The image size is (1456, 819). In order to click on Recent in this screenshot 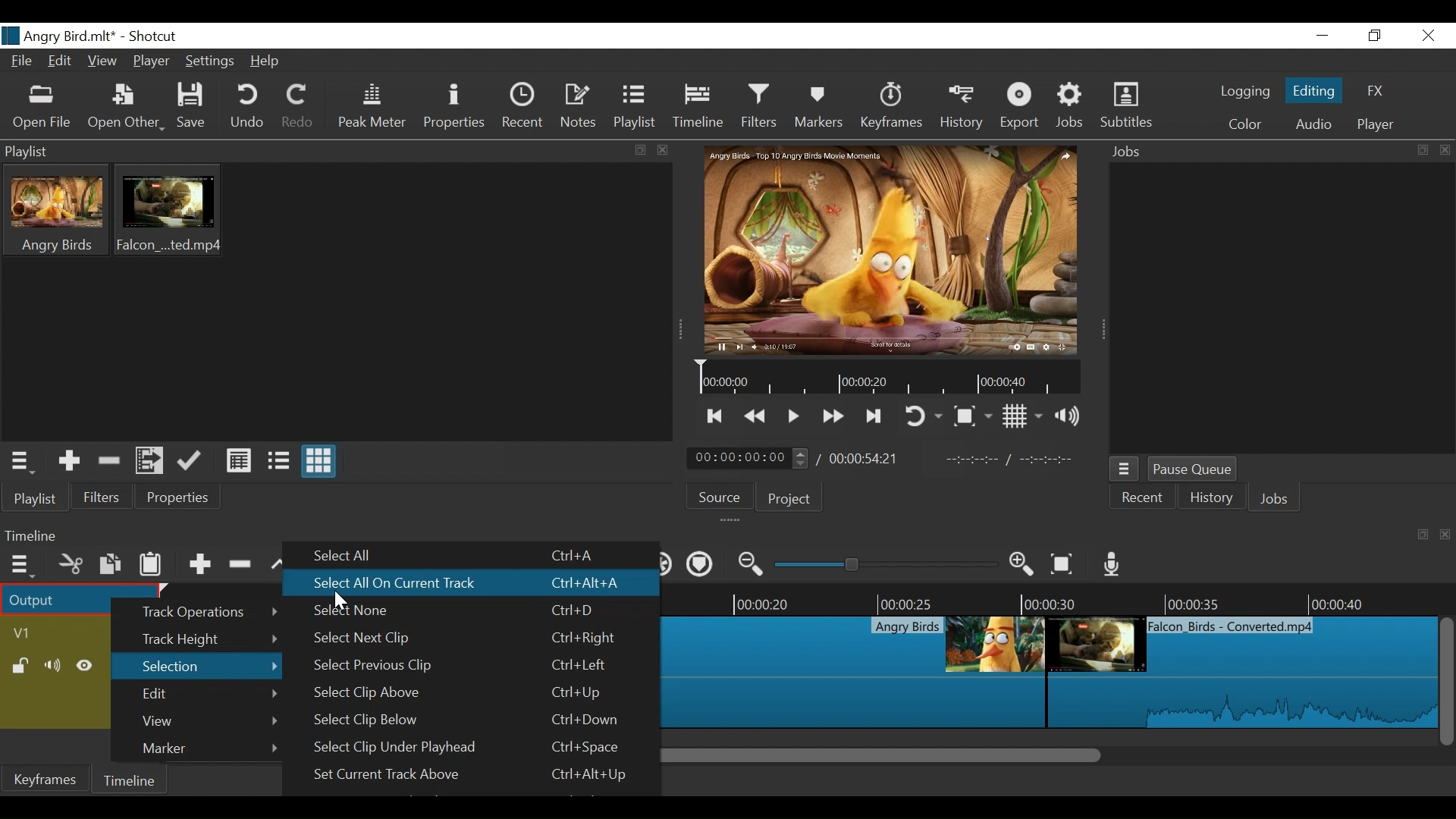, I will do `click(524, 106)`.